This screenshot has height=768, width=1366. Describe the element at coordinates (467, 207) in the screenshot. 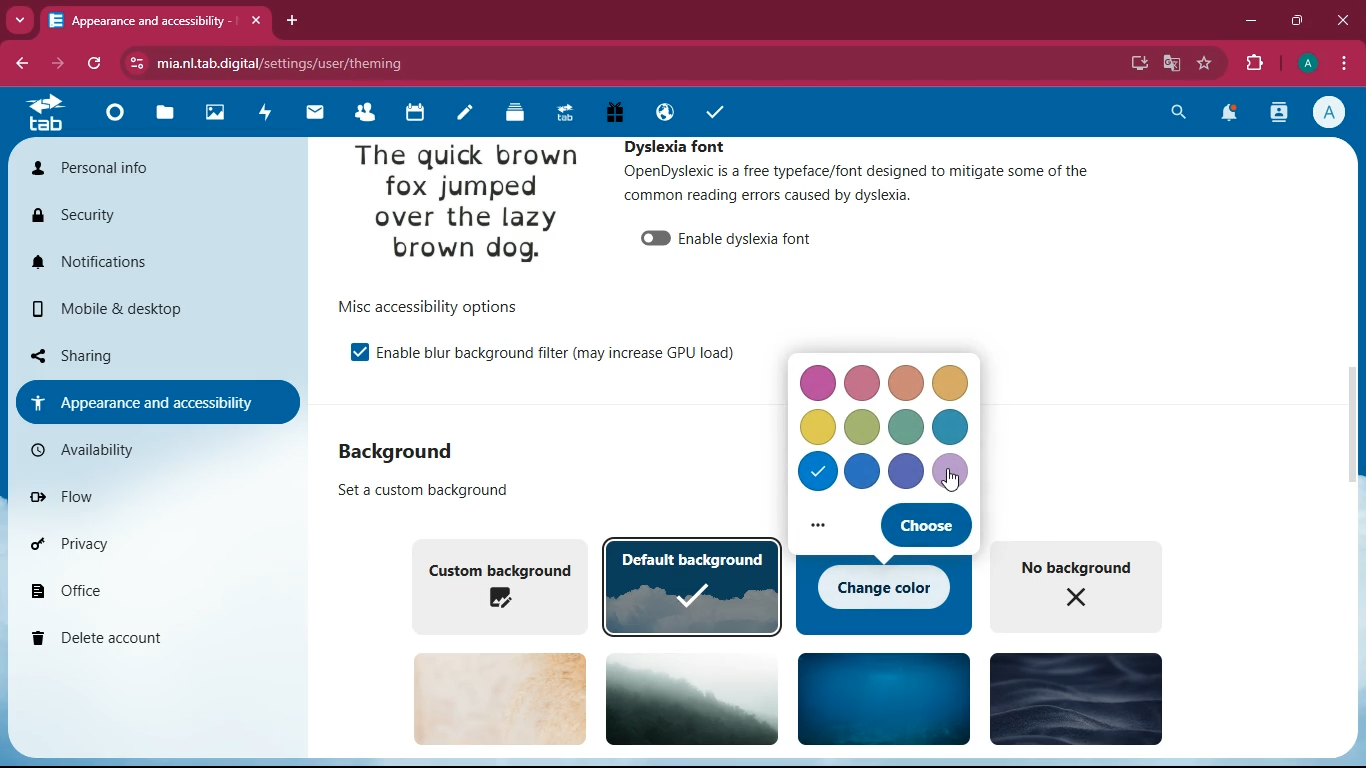

I see `the quick brown fox jumped over the lazy brown dog.` at that location.